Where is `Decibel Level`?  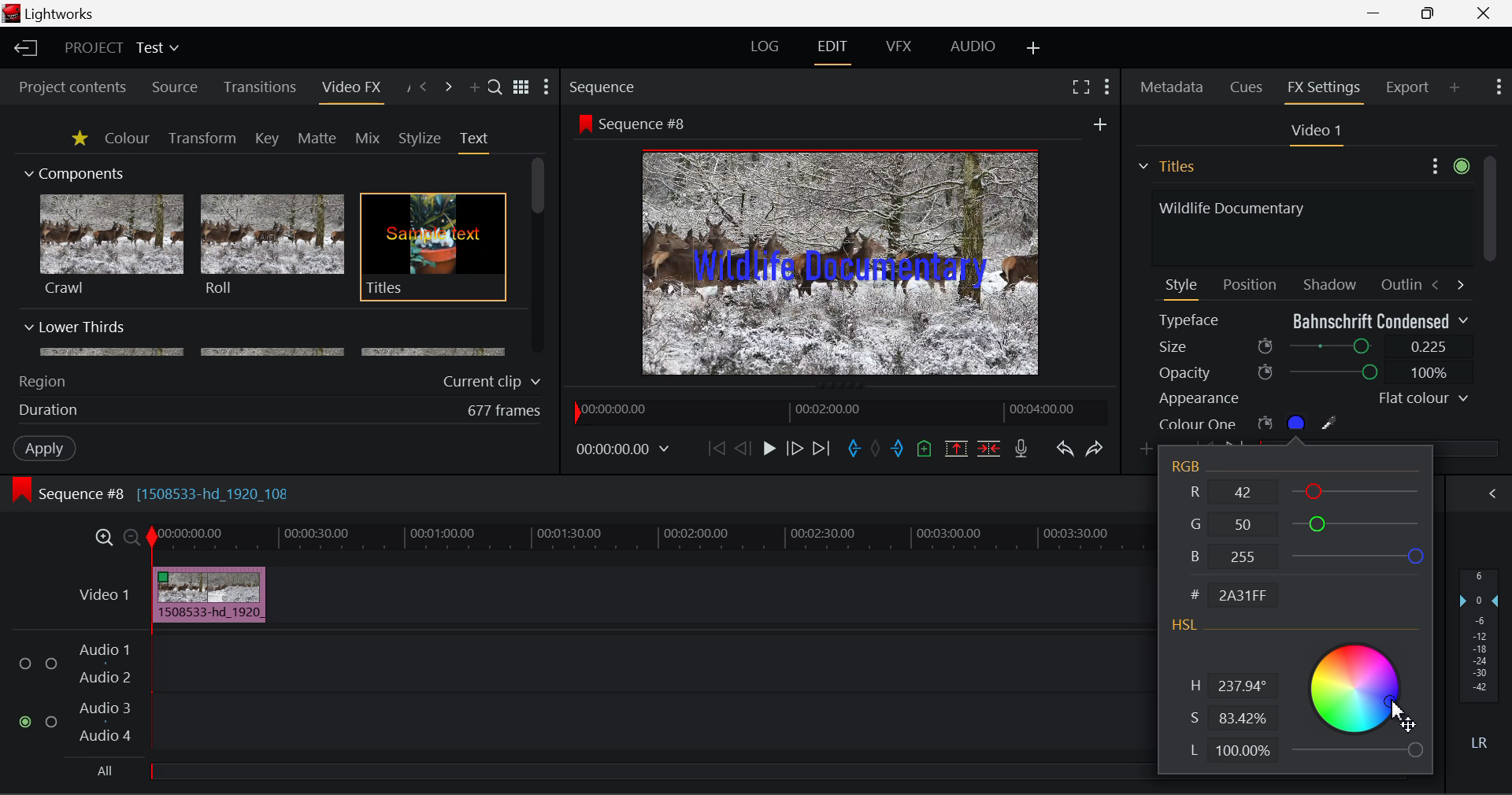
Decibel Level is located at coordinates (1480, 663).